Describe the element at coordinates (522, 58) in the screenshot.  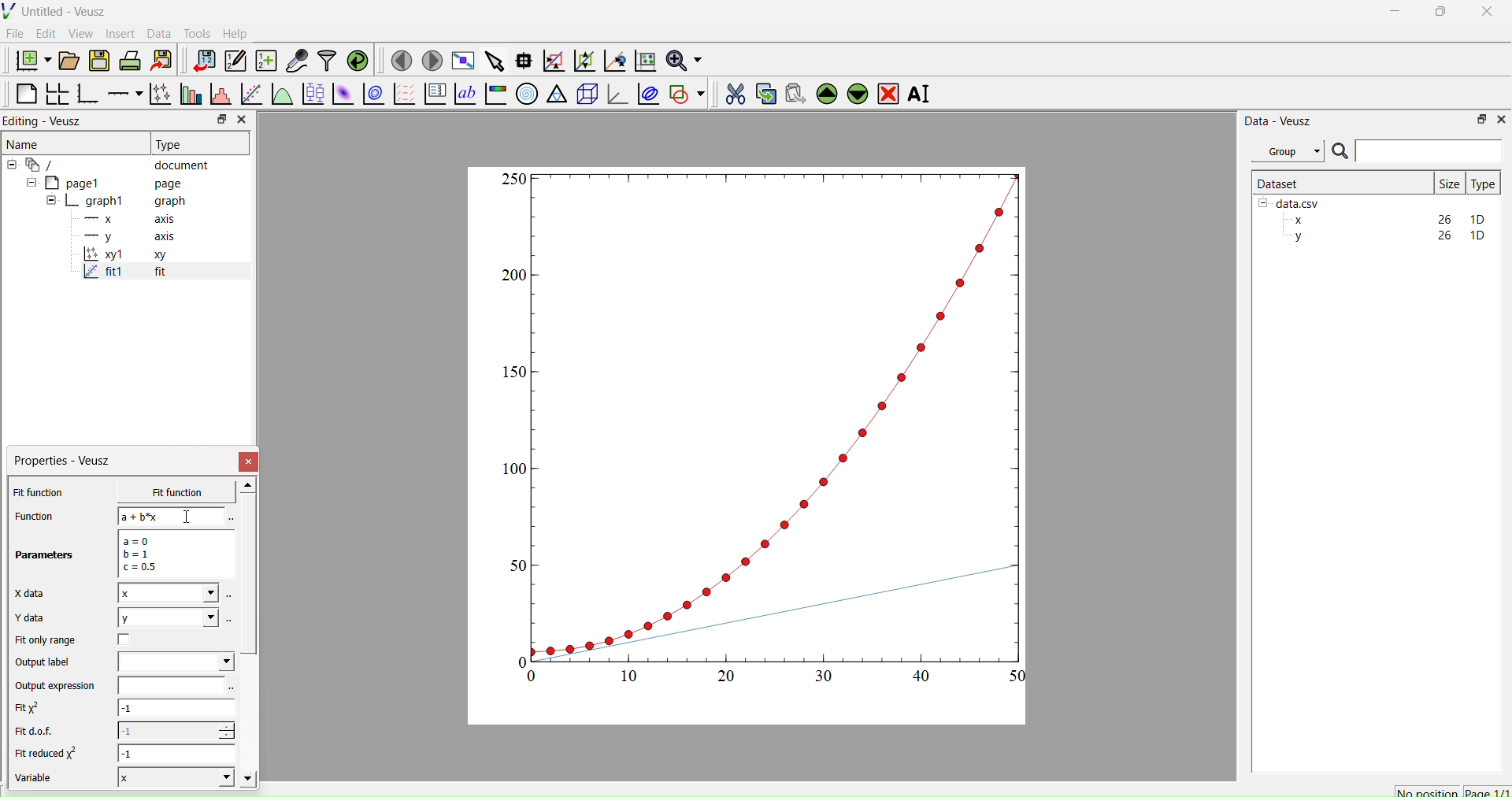
I see `Read data points` at that location.